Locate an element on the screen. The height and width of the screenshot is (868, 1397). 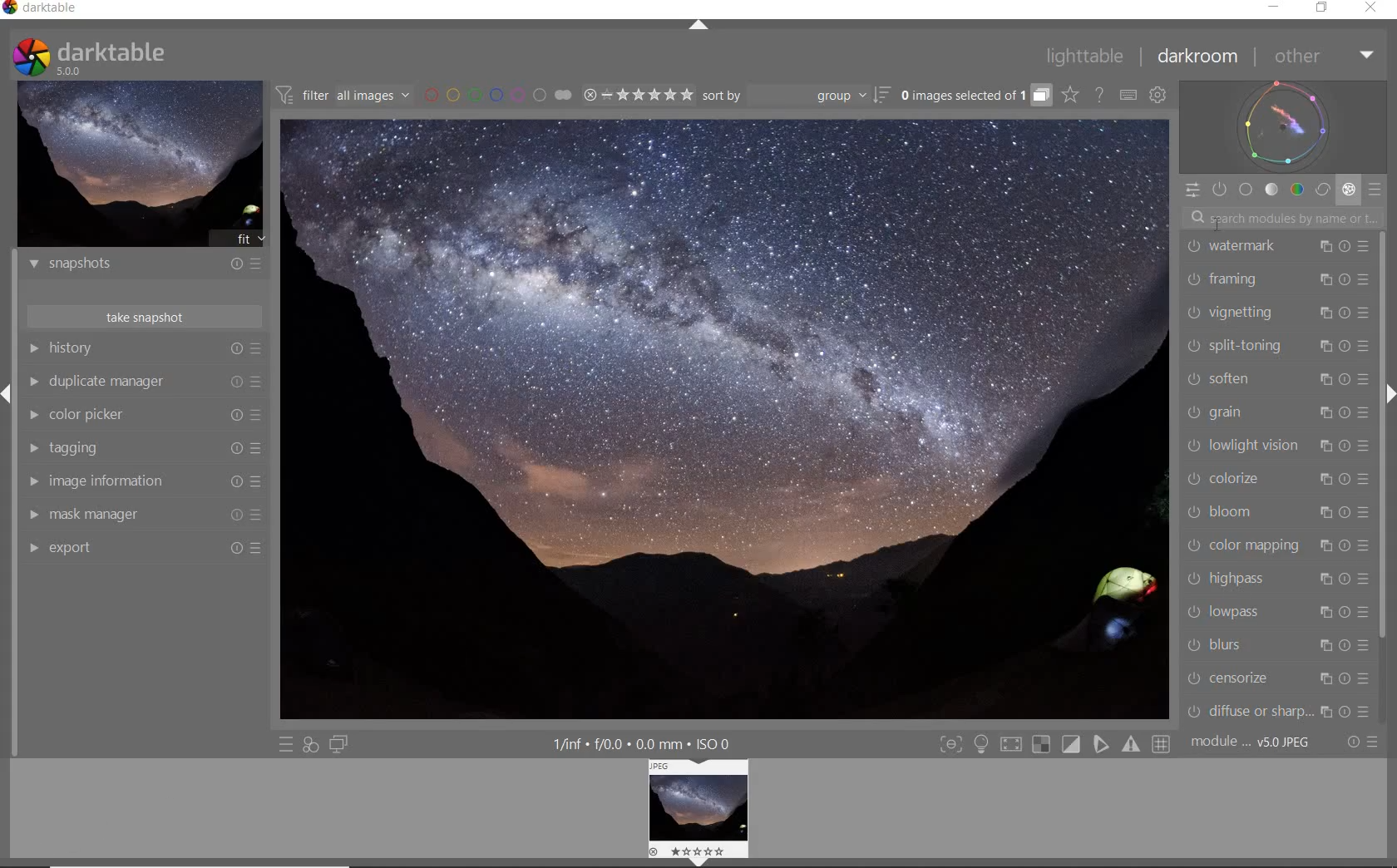
VIGNETTING is located at coordinates (1235, 313).